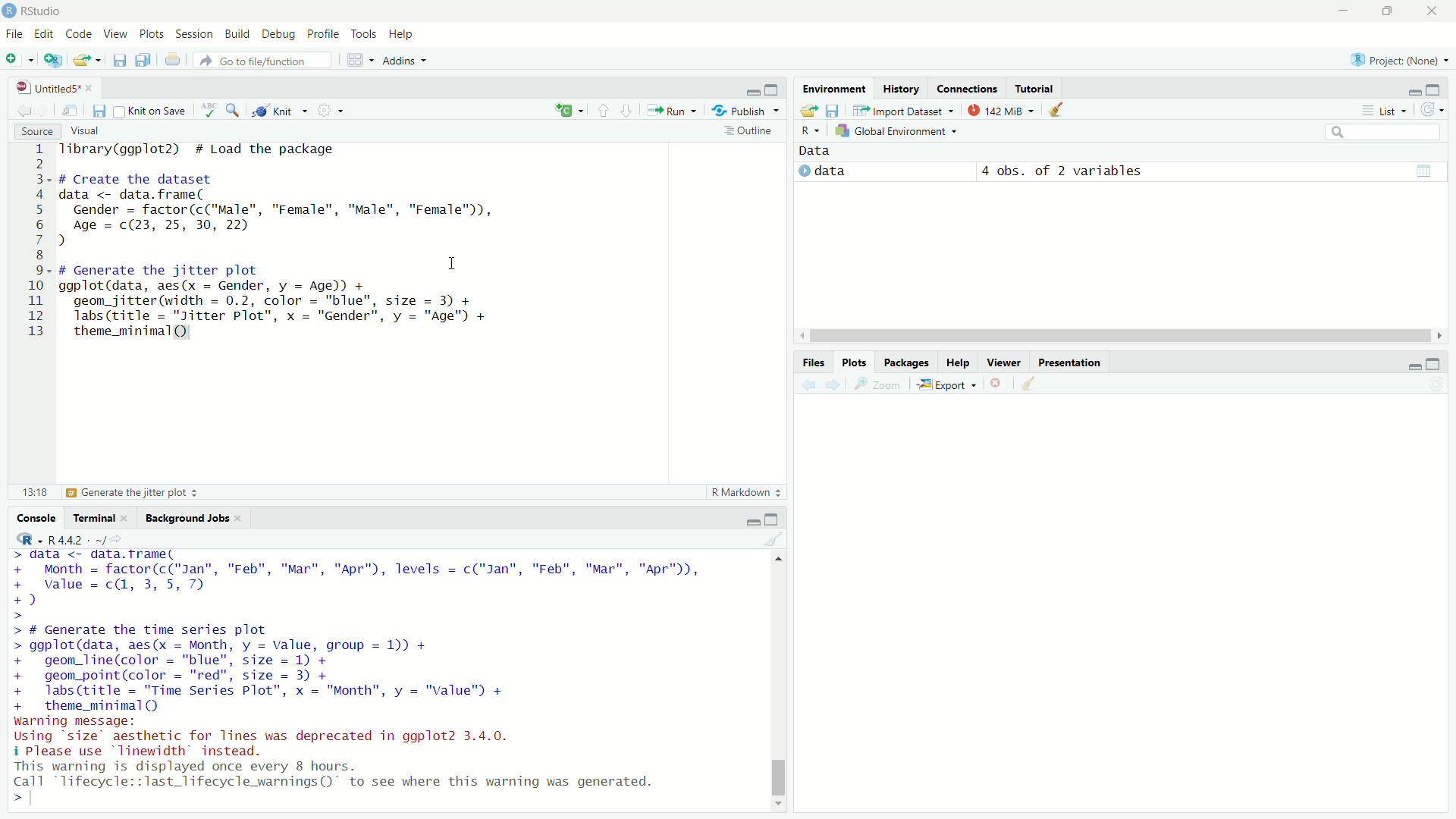 This screenshot has height=819, width=1456. Describe the element at coordinates (18, 58) in the screenshot. I see `new file` at that location.